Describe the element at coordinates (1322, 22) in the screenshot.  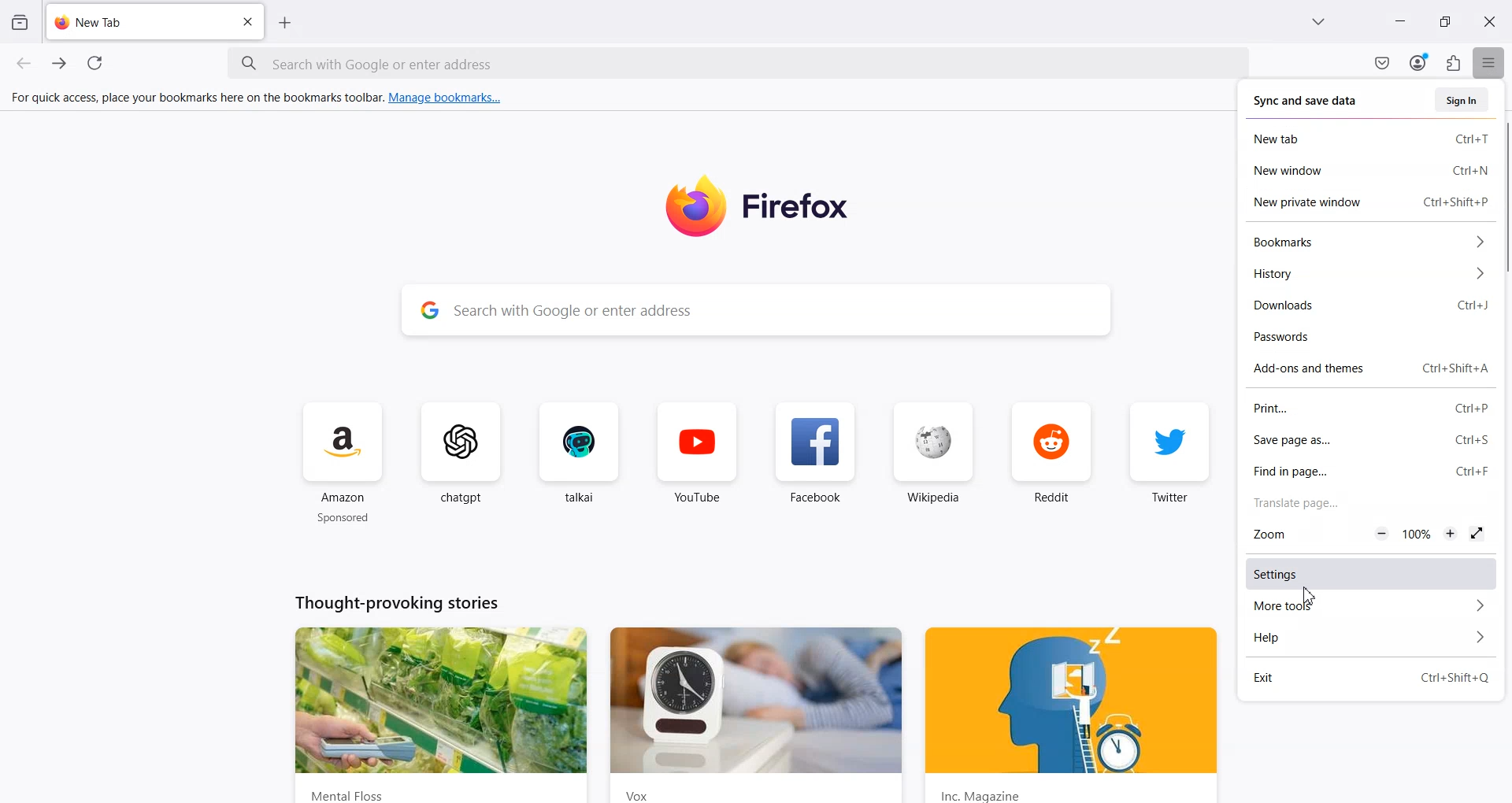
I see `DropDown Box` at that location.